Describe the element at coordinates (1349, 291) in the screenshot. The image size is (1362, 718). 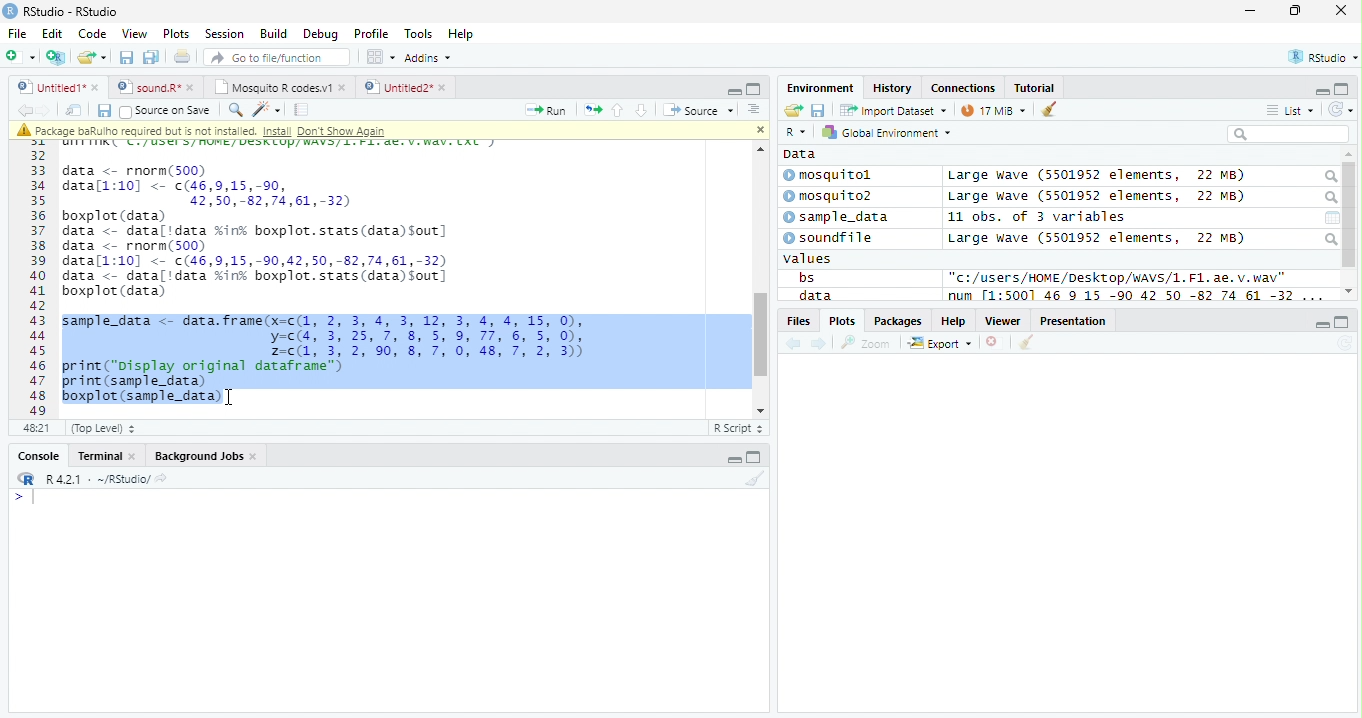
I see `scroll down` at that location.